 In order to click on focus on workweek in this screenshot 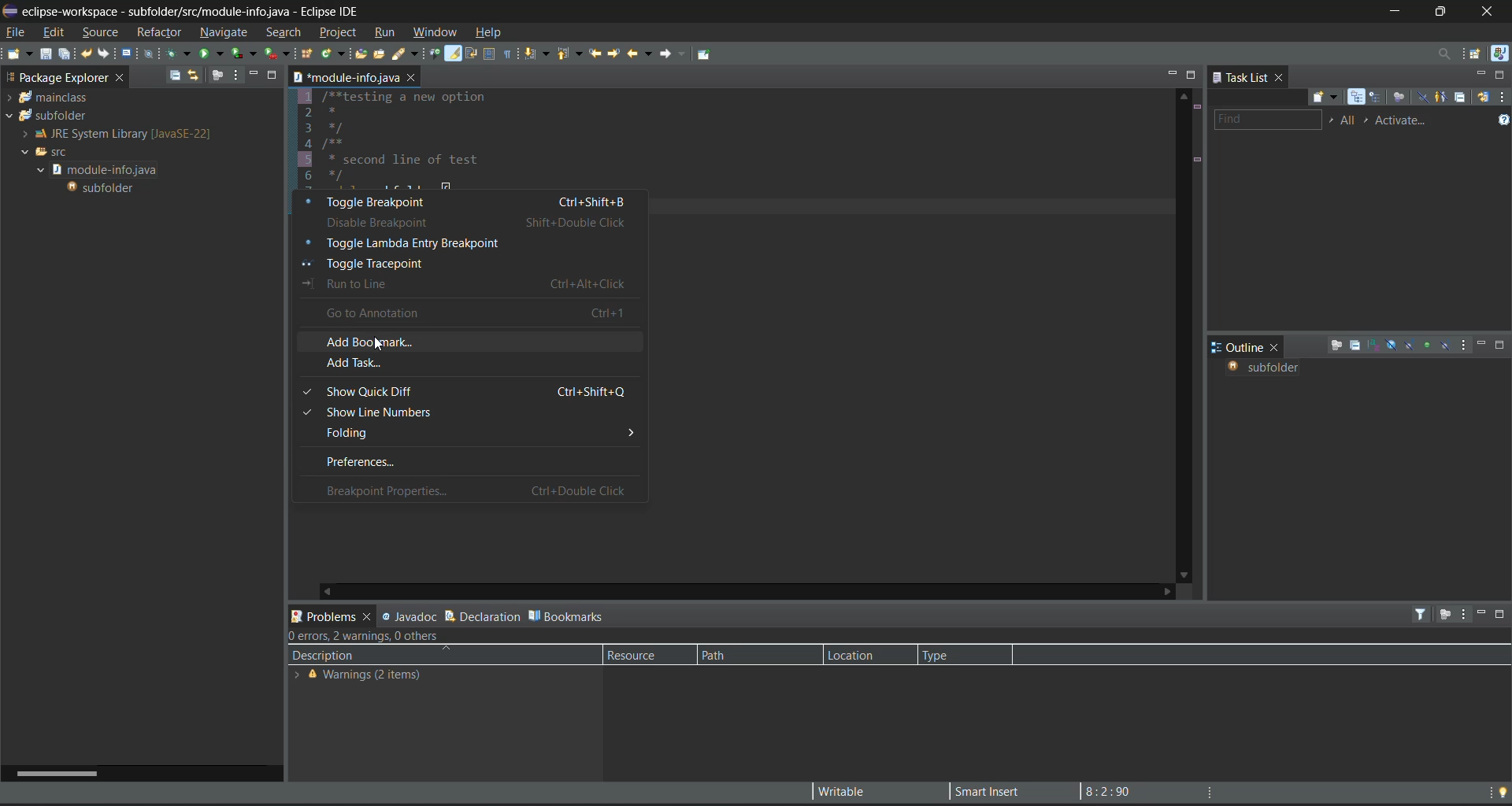, I will do `click(1401, 98)`.